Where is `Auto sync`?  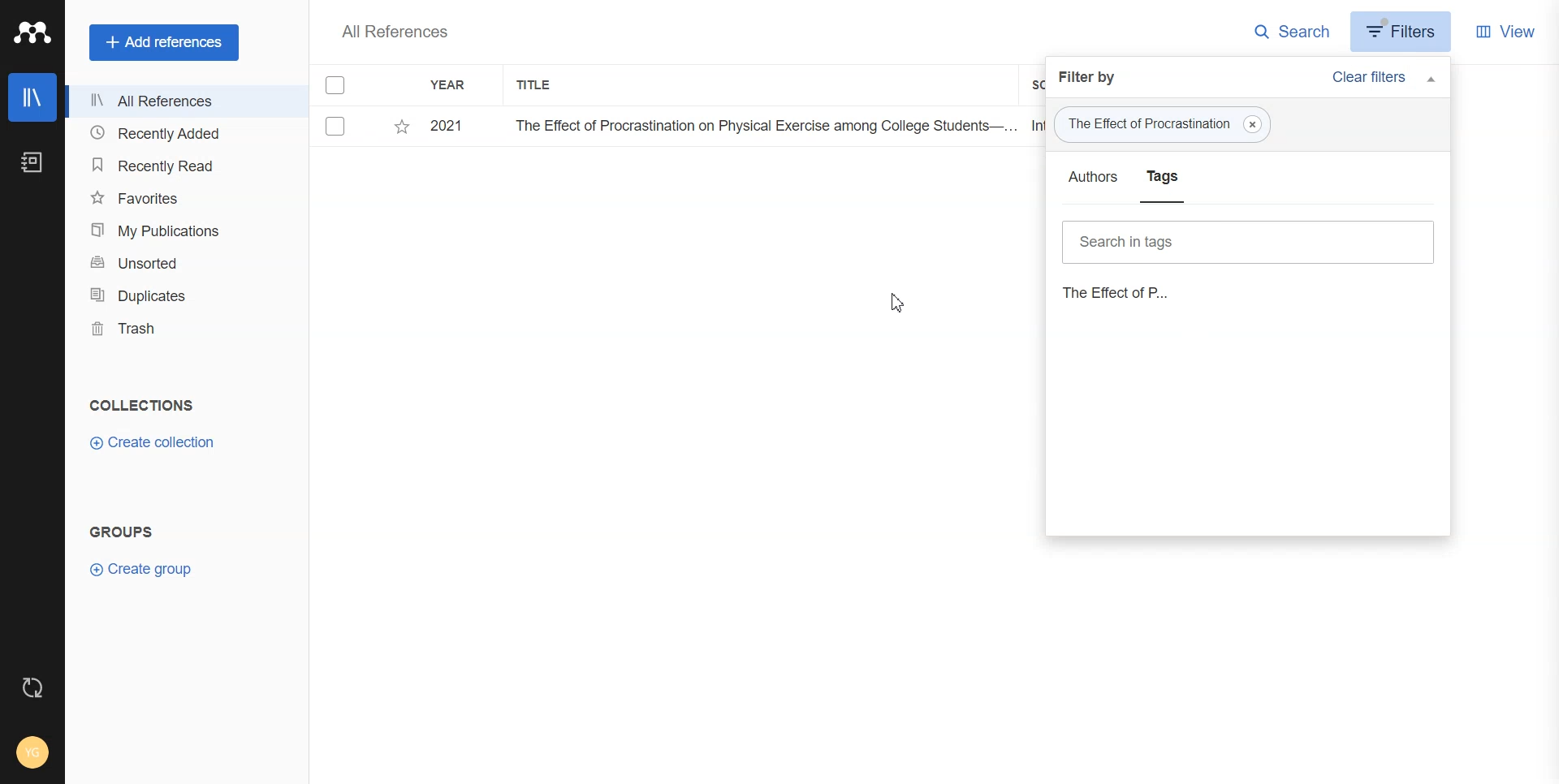 Auto sync is located at coordinates (32, 687).